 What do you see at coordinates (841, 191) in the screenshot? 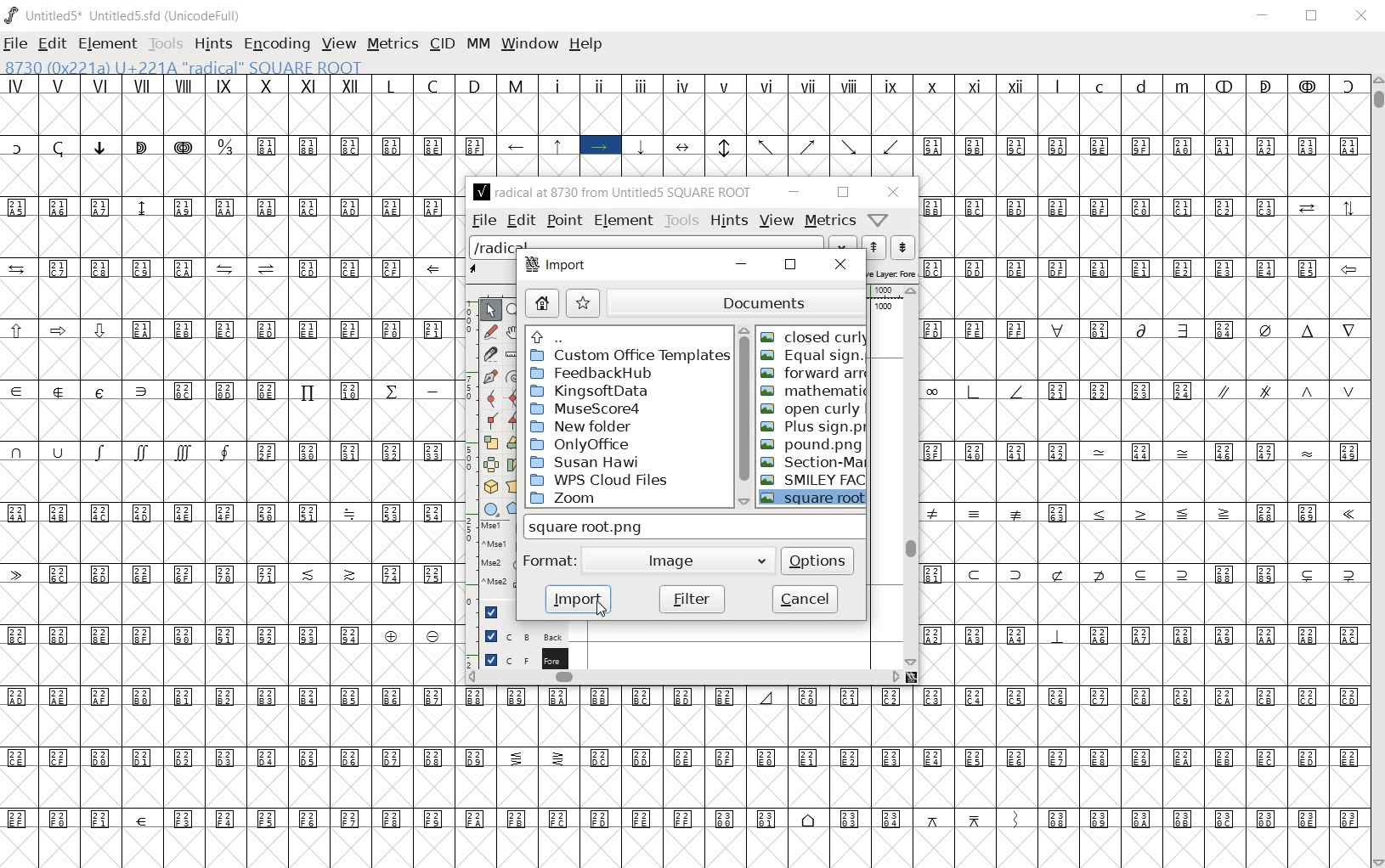
I see `restore down` at bounding box center [841, 191].